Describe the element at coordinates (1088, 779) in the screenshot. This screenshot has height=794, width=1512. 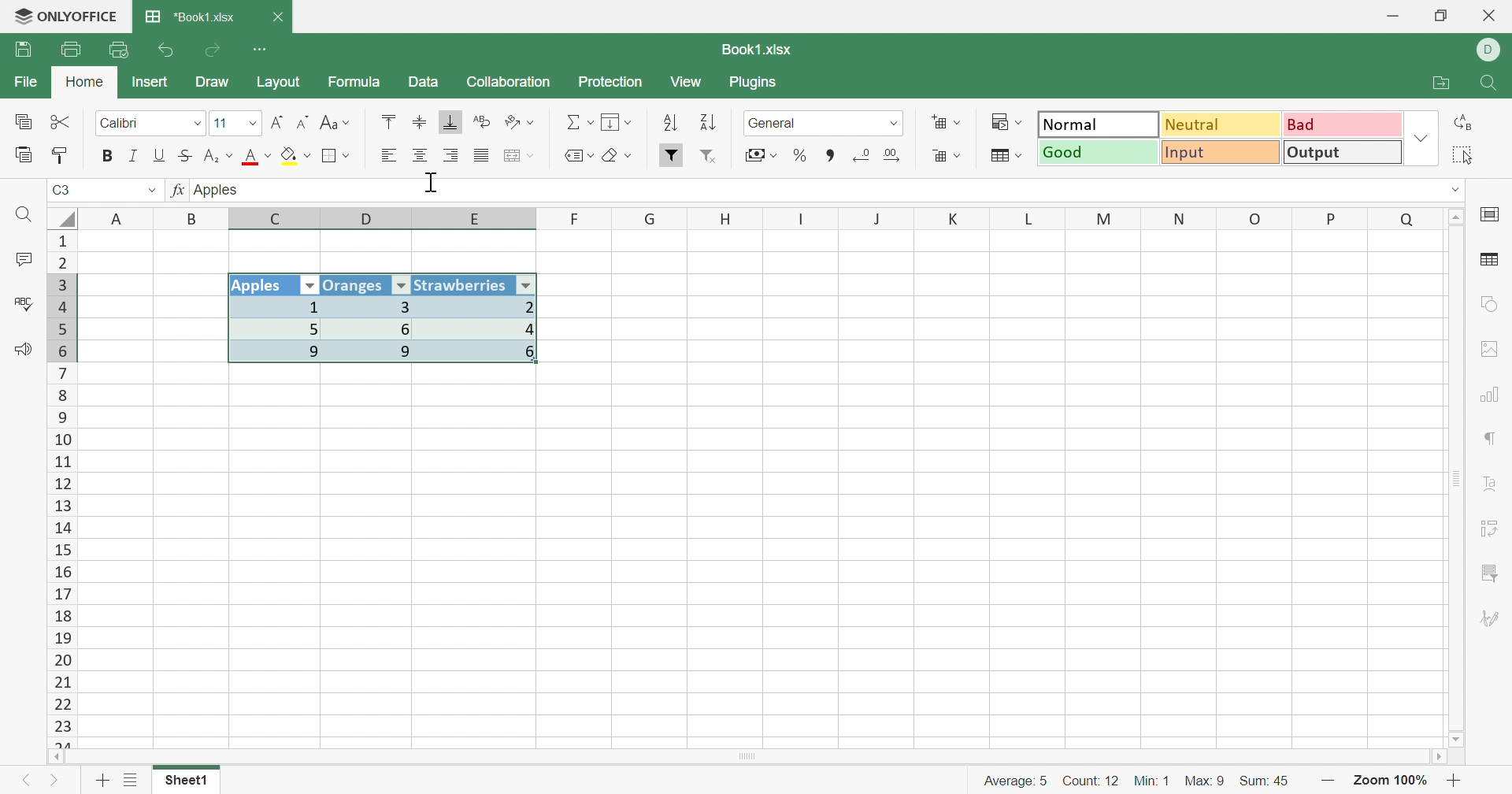
I see `Count: 12` at that location.